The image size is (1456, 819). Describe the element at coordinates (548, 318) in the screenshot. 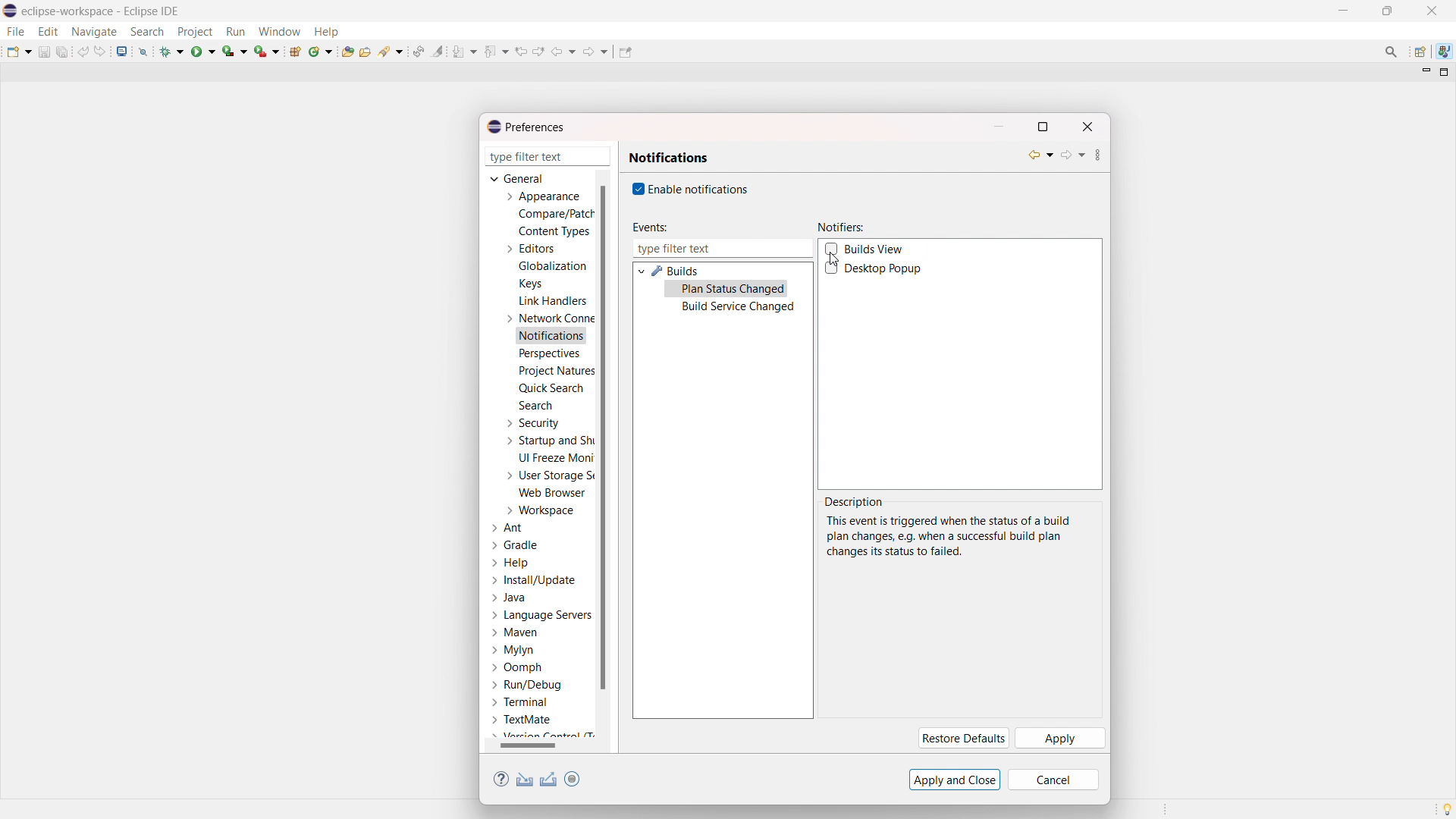

I see `network connections` at that location.